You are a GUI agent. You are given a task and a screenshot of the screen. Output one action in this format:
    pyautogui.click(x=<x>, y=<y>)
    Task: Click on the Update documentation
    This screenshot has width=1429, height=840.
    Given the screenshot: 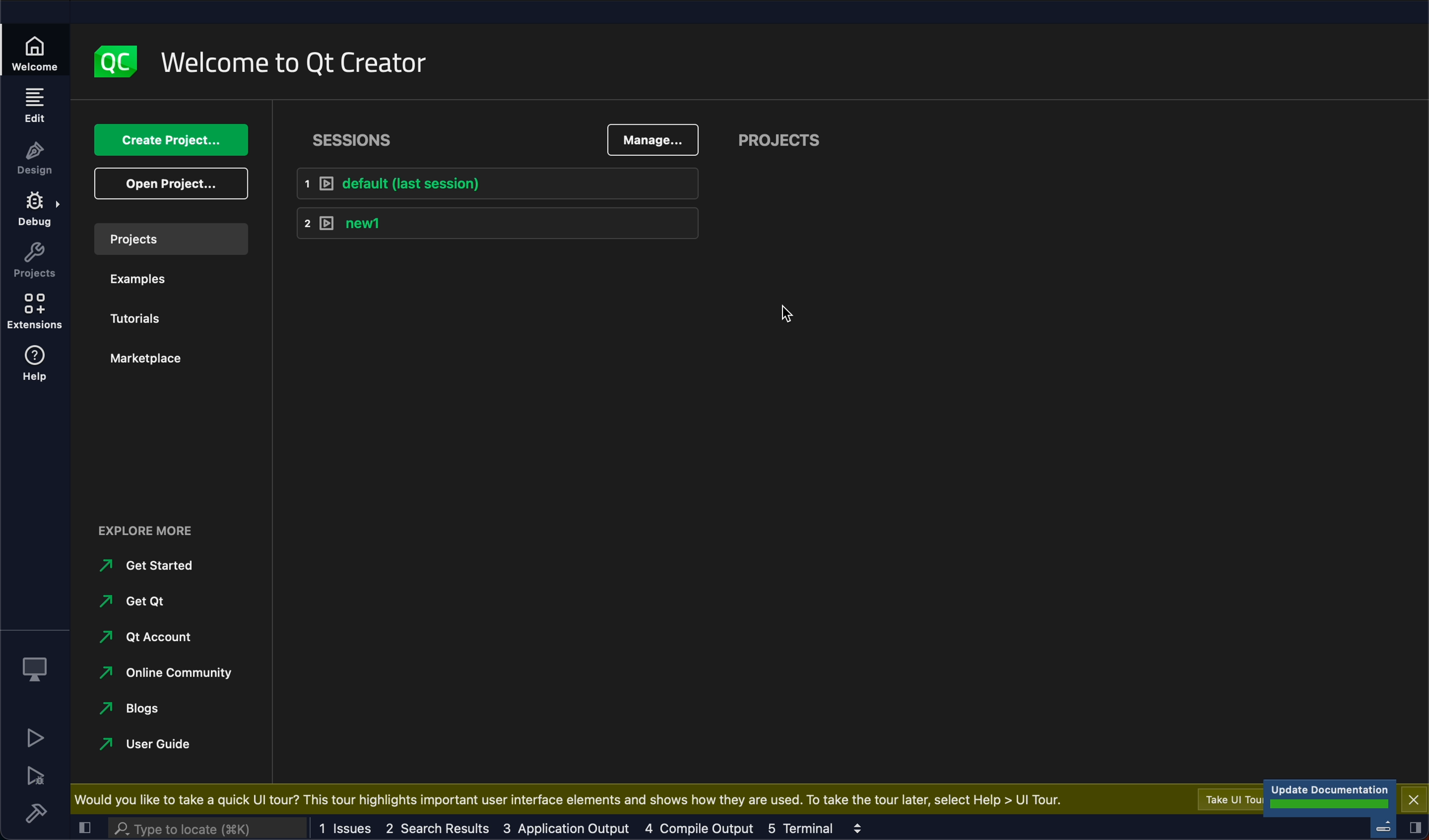 What is the action you would take?
    pyautogui.click(x=1331, y=796)
    